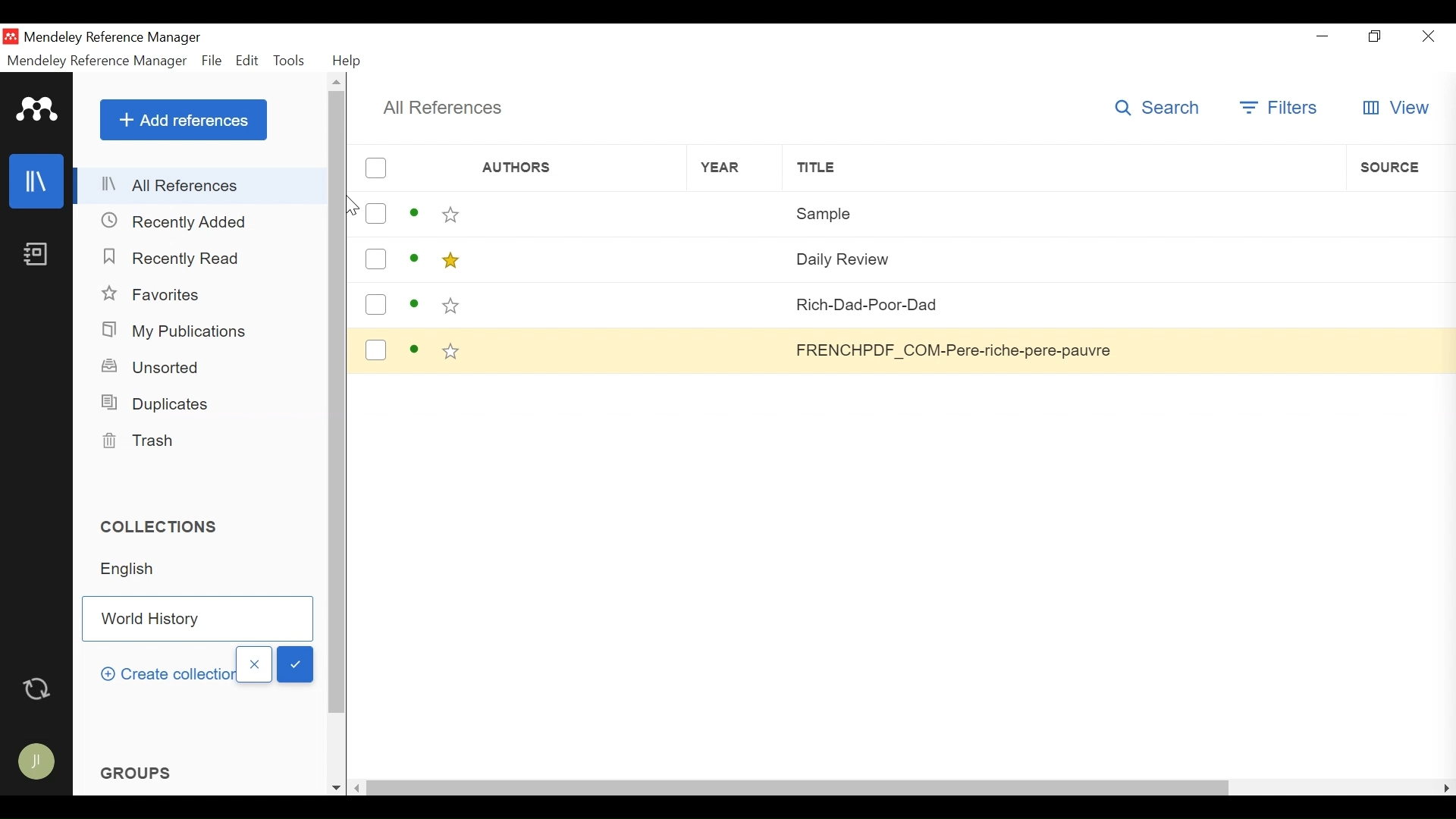  I want to click on Scroll up, so click(337, 81).